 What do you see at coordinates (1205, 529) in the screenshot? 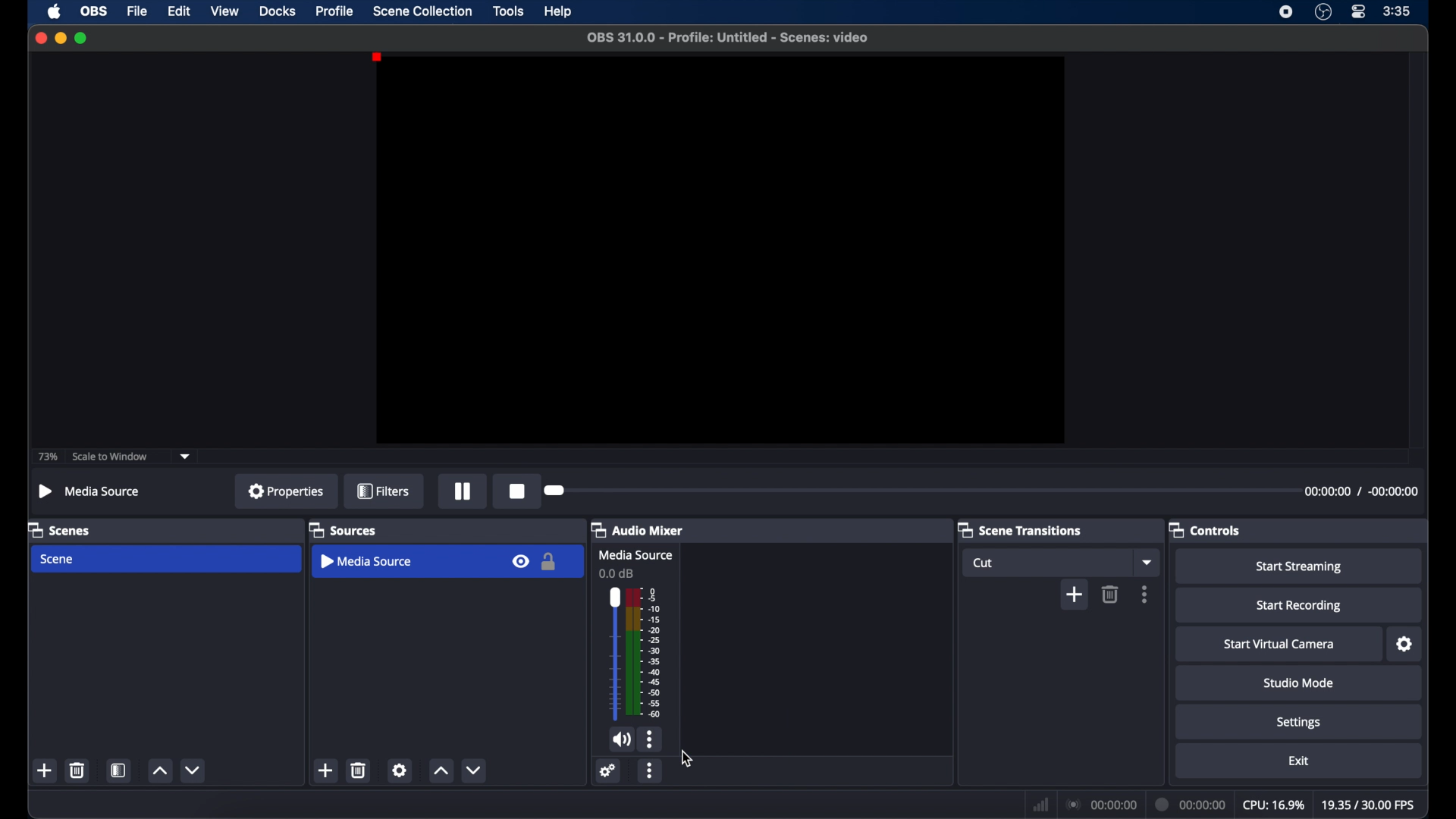
I see `controls` at bounding box center [1205, 529].